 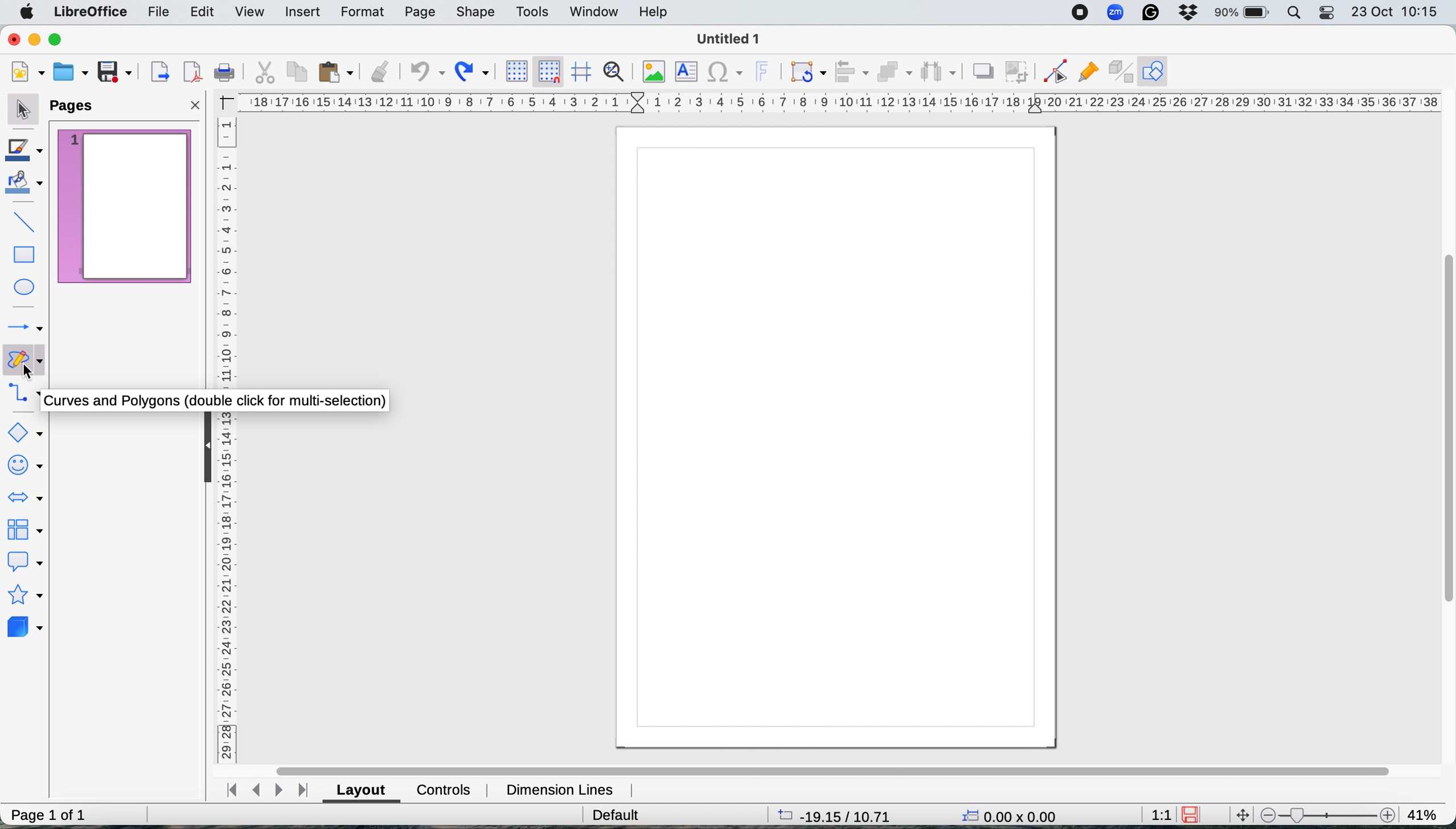 What do you see at coordinates (614, 72) in the screenshot?
I see `zoom and pan` at bounding box center [614, 72].